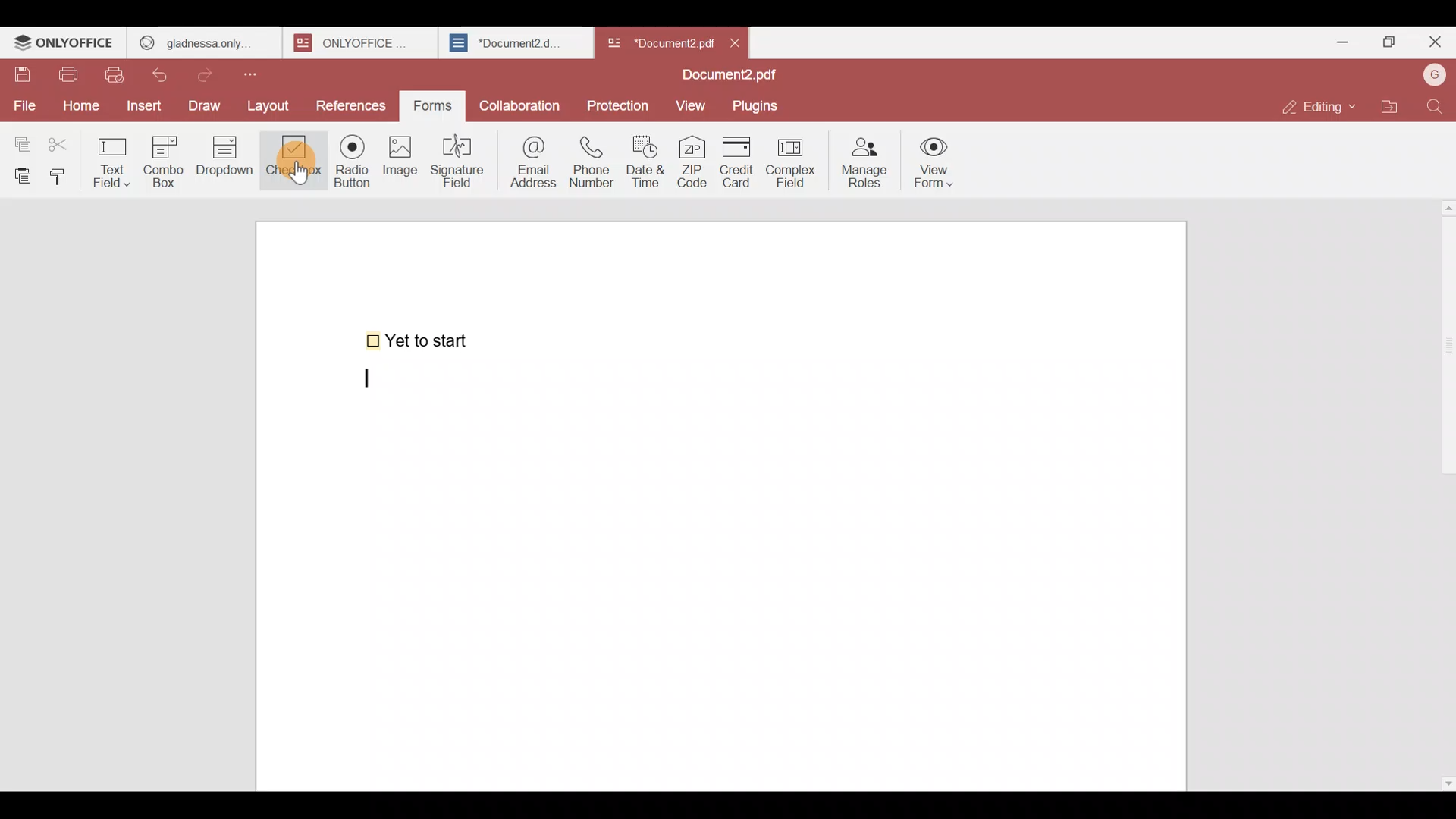  What do you see at coordinates (420, 339) in the screenshot?
I see `Yet to start` at bounding box center [420, 339].